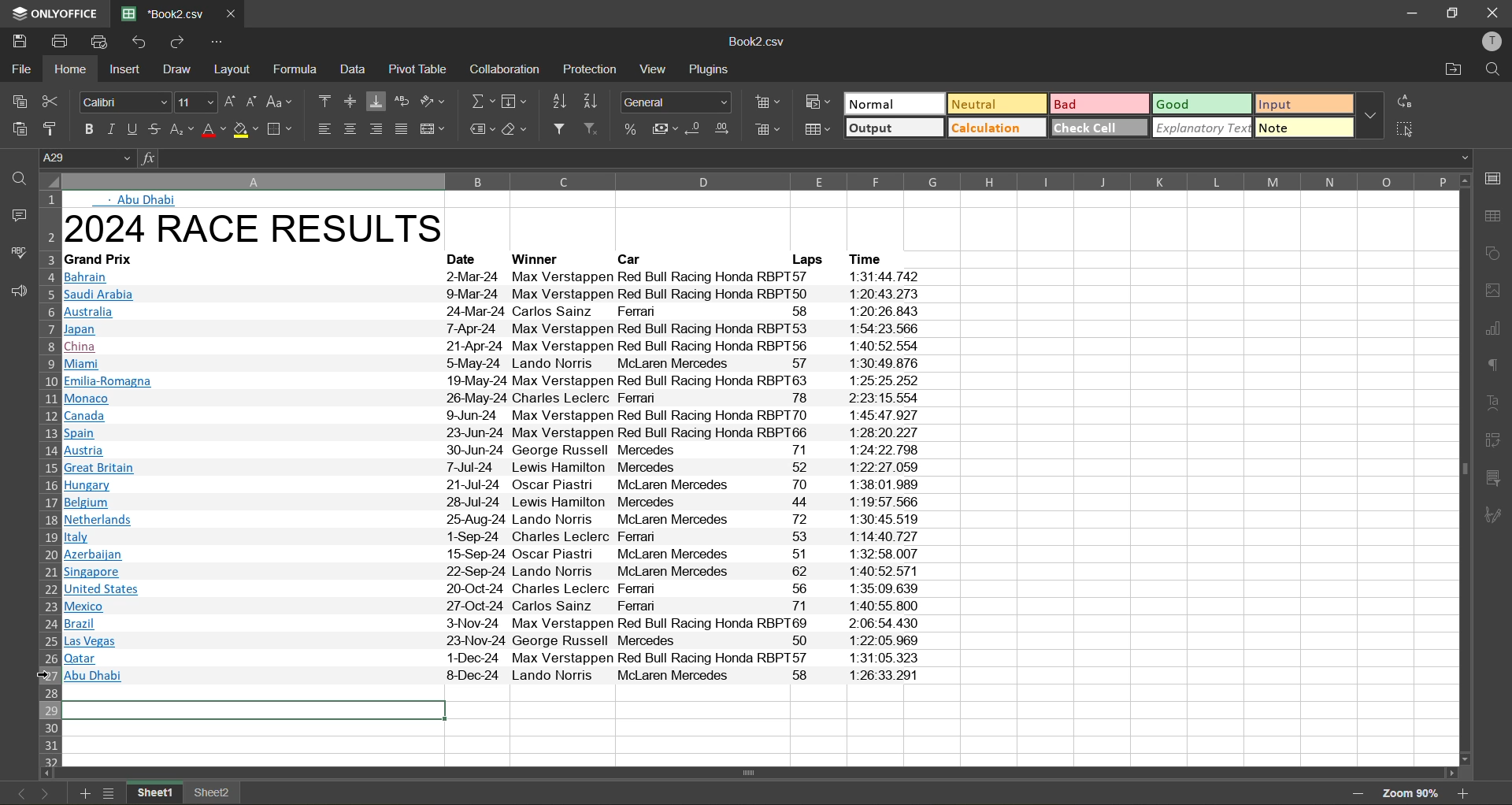 The image size is (1512, 805). What do you see at coordinates (500, 503) in the screenshot?
I see `text info` at bounding box center [500, 503].